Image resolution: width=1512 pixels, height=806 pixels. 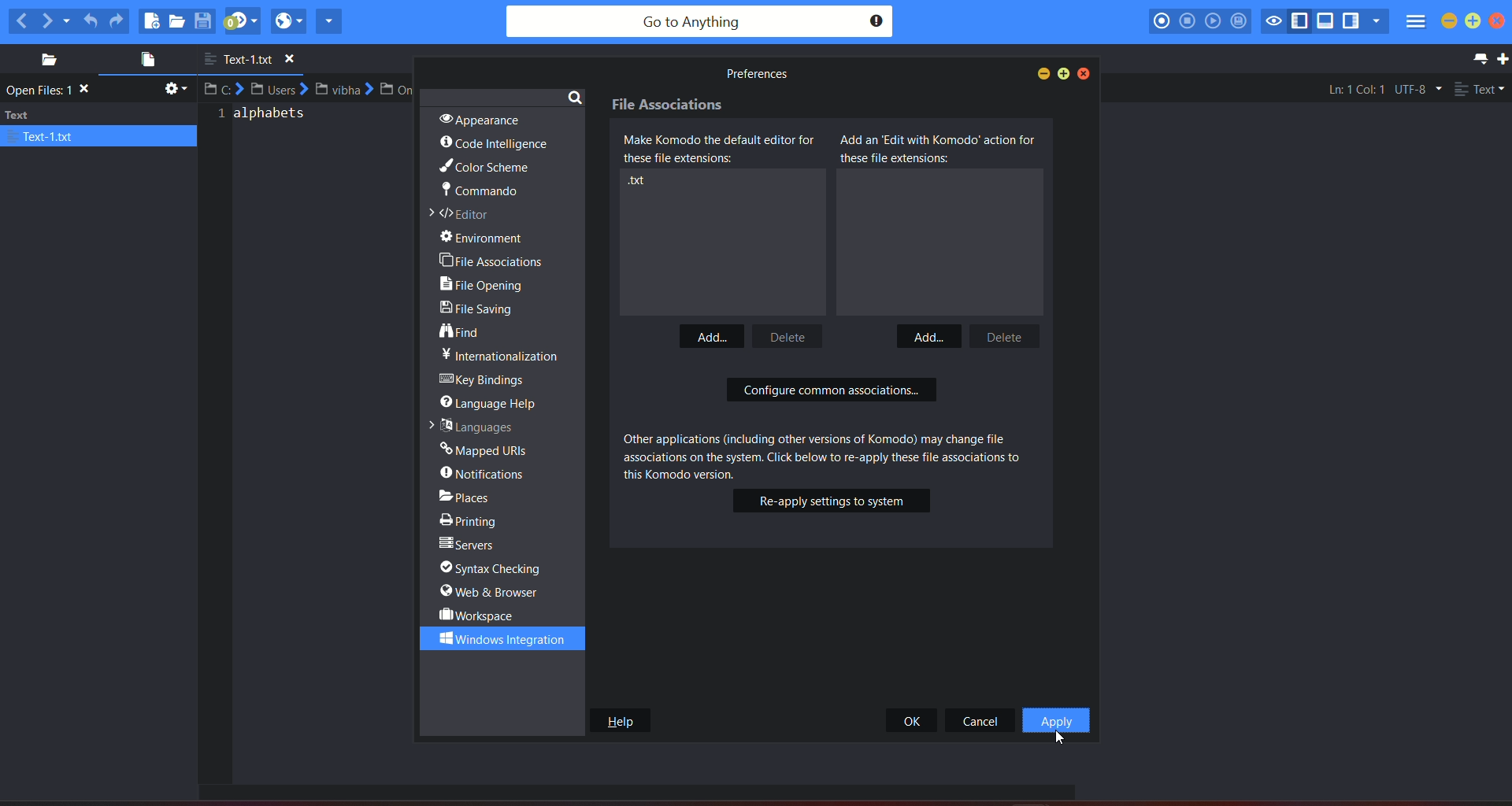 What do you see at coordinates (913, 720) in the screenshot?
I see `ok` at bounding box center [913, 720].